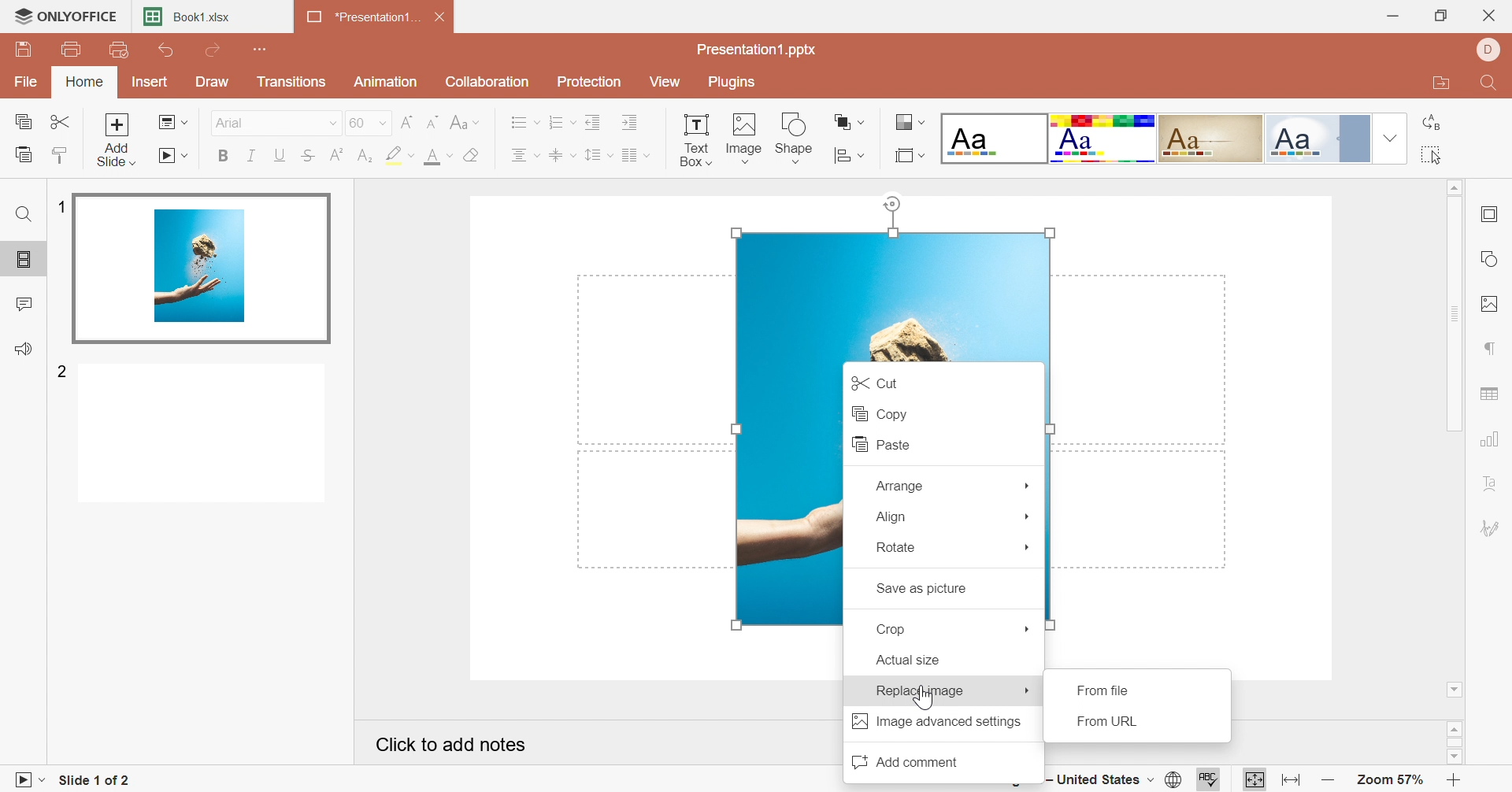  Describe the element at coordinates (1254, 779) in the screenshot. I see `Fit to slide` at that location.